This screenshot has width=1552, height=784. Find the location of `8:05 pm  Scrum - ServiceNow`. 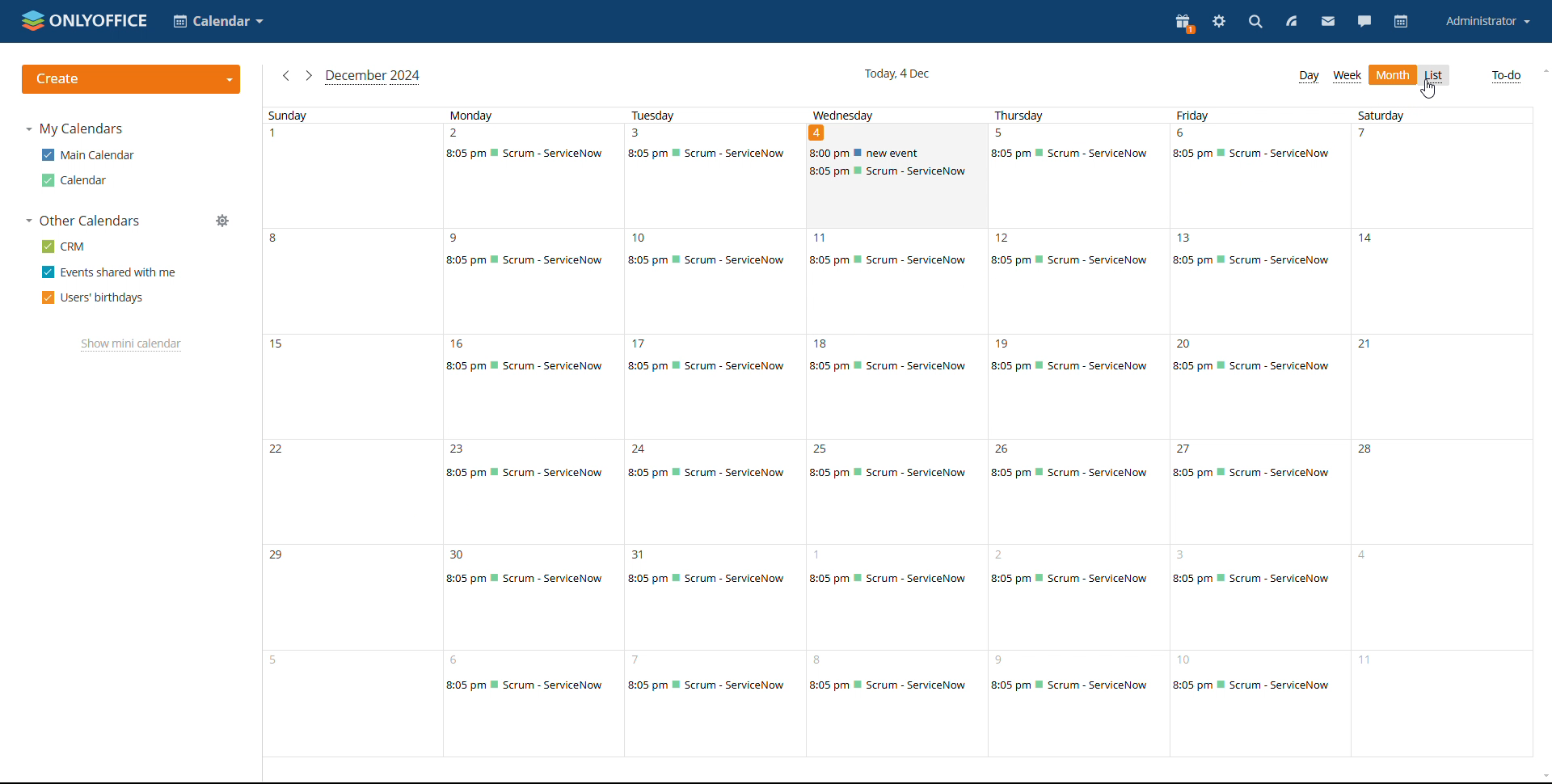

8:05 pm  Scrum - ServiceNow is located at coordinates (1069, 154).